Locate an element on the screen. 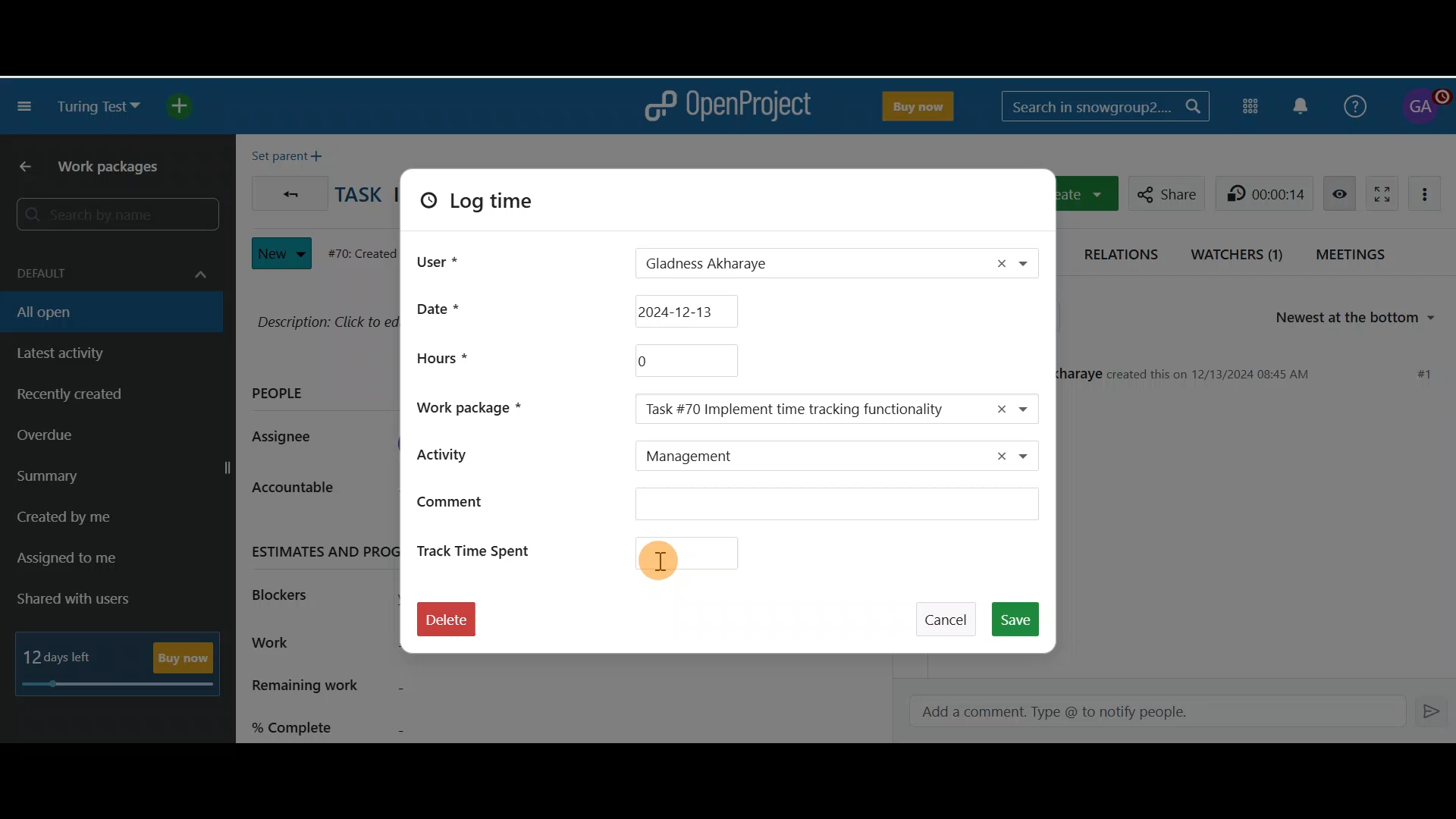 This screenshot has width=1456, height=819. New is located at coordinates (281, 249).